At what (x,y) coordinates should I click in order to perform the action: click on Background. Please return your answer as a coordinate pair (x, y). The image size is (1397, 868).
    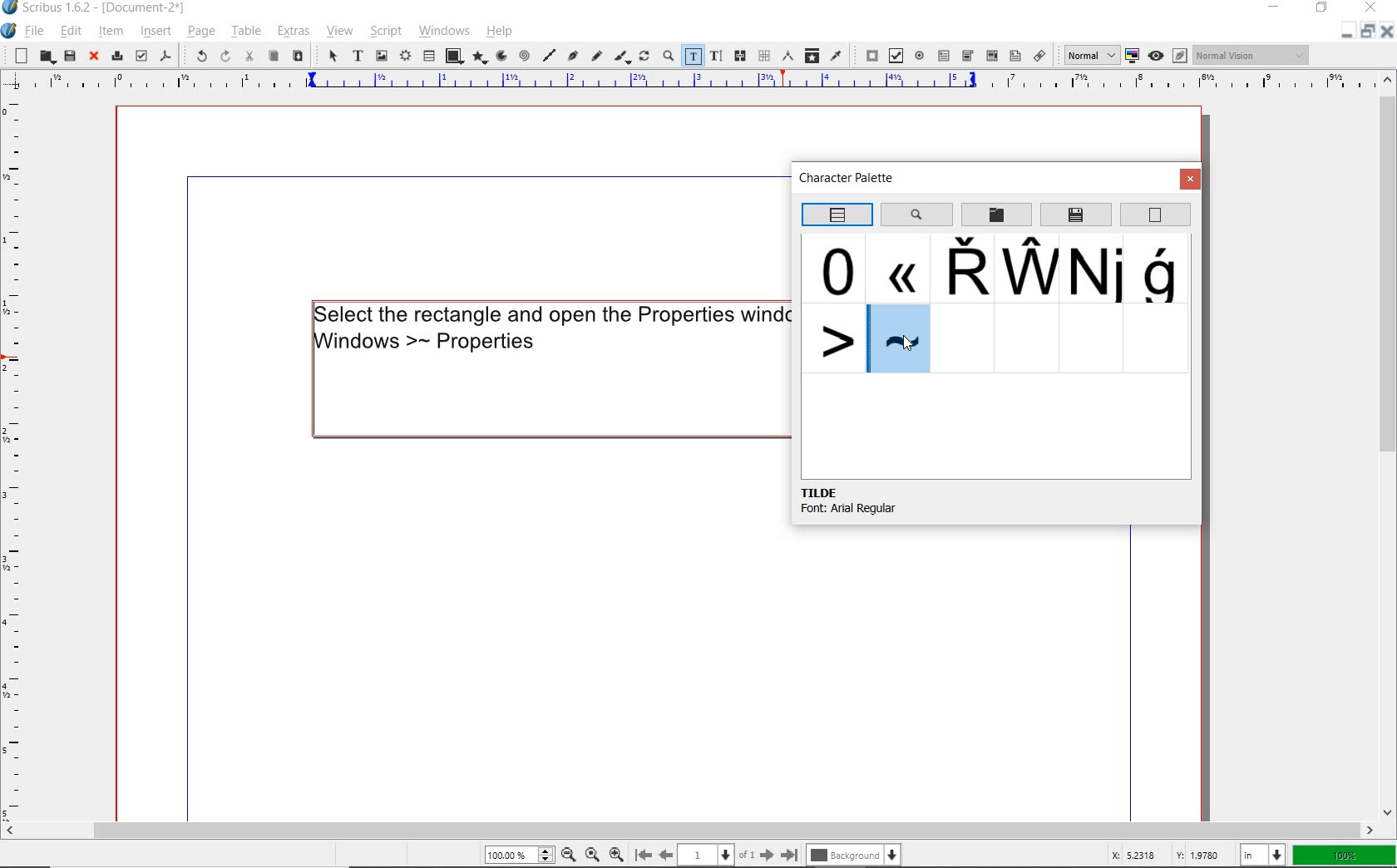
    Looking at the image, I should click on (856, 853).